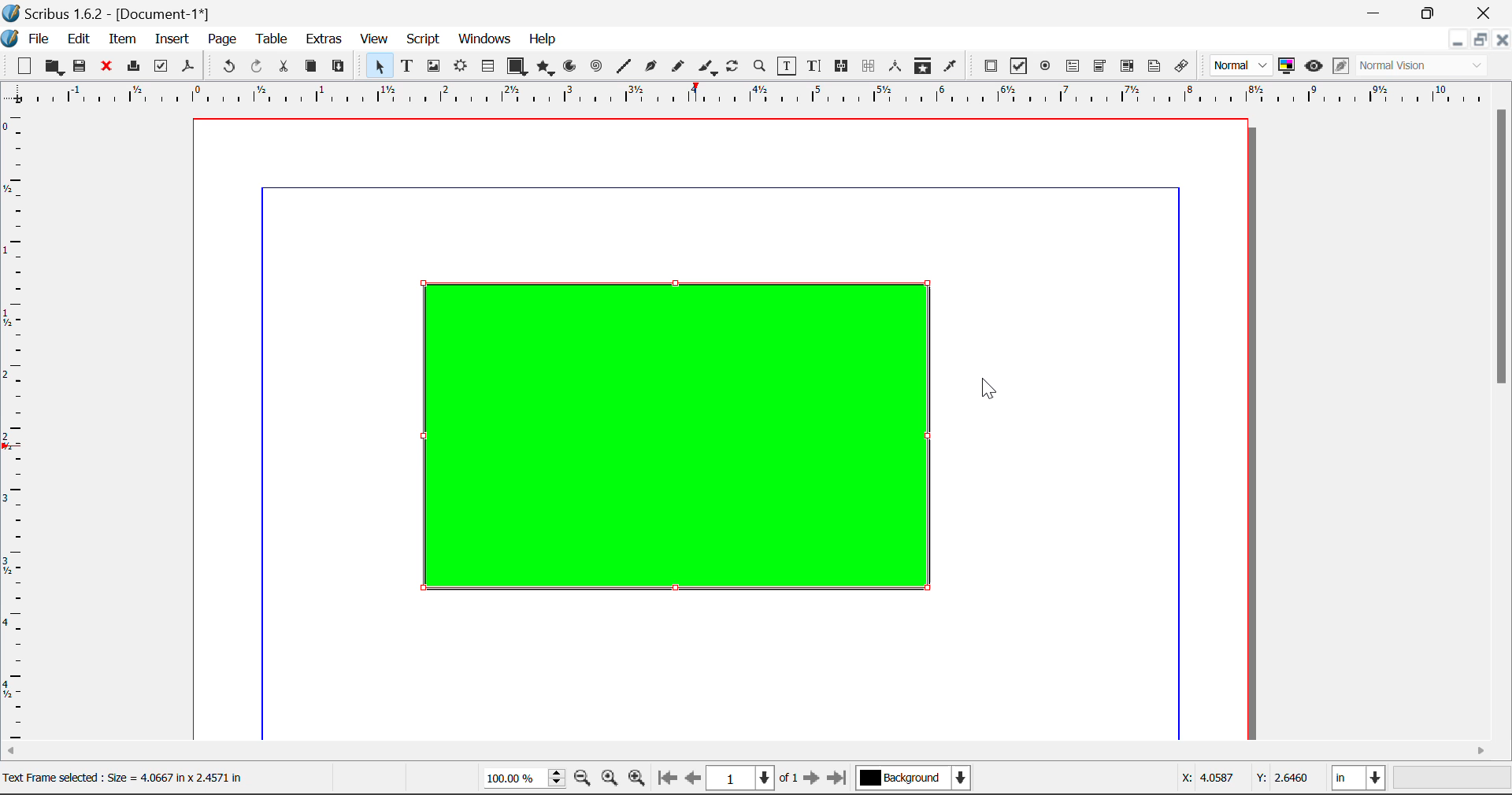 This screenshot has height=795, width=1512. What do you see at coordinates (754, 778) in the screenshot?
I see `Page 1 of 1` at bounding box center [754, 778].